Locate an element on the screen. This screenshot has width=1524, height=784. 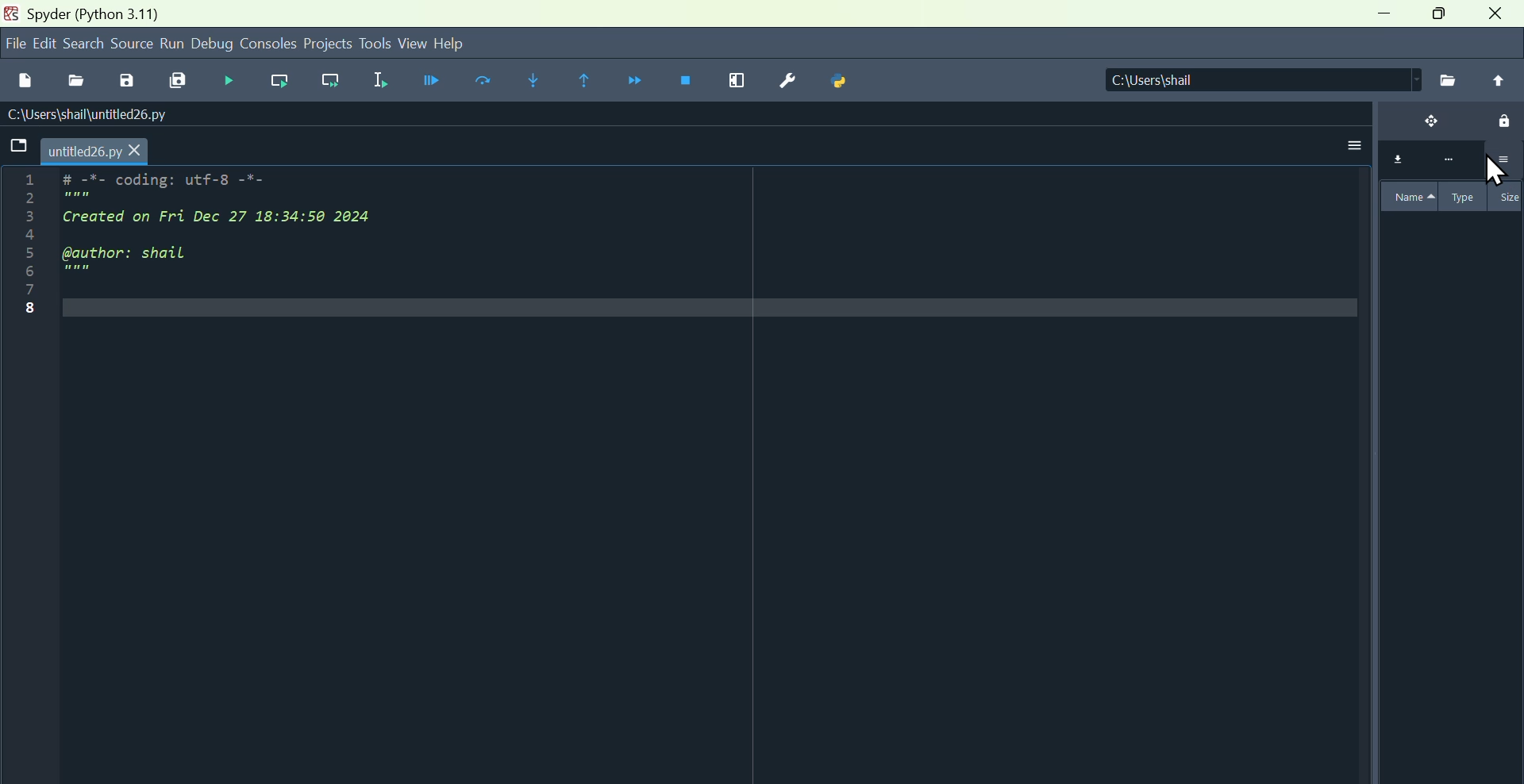
 is located at coordinates (92, 13).